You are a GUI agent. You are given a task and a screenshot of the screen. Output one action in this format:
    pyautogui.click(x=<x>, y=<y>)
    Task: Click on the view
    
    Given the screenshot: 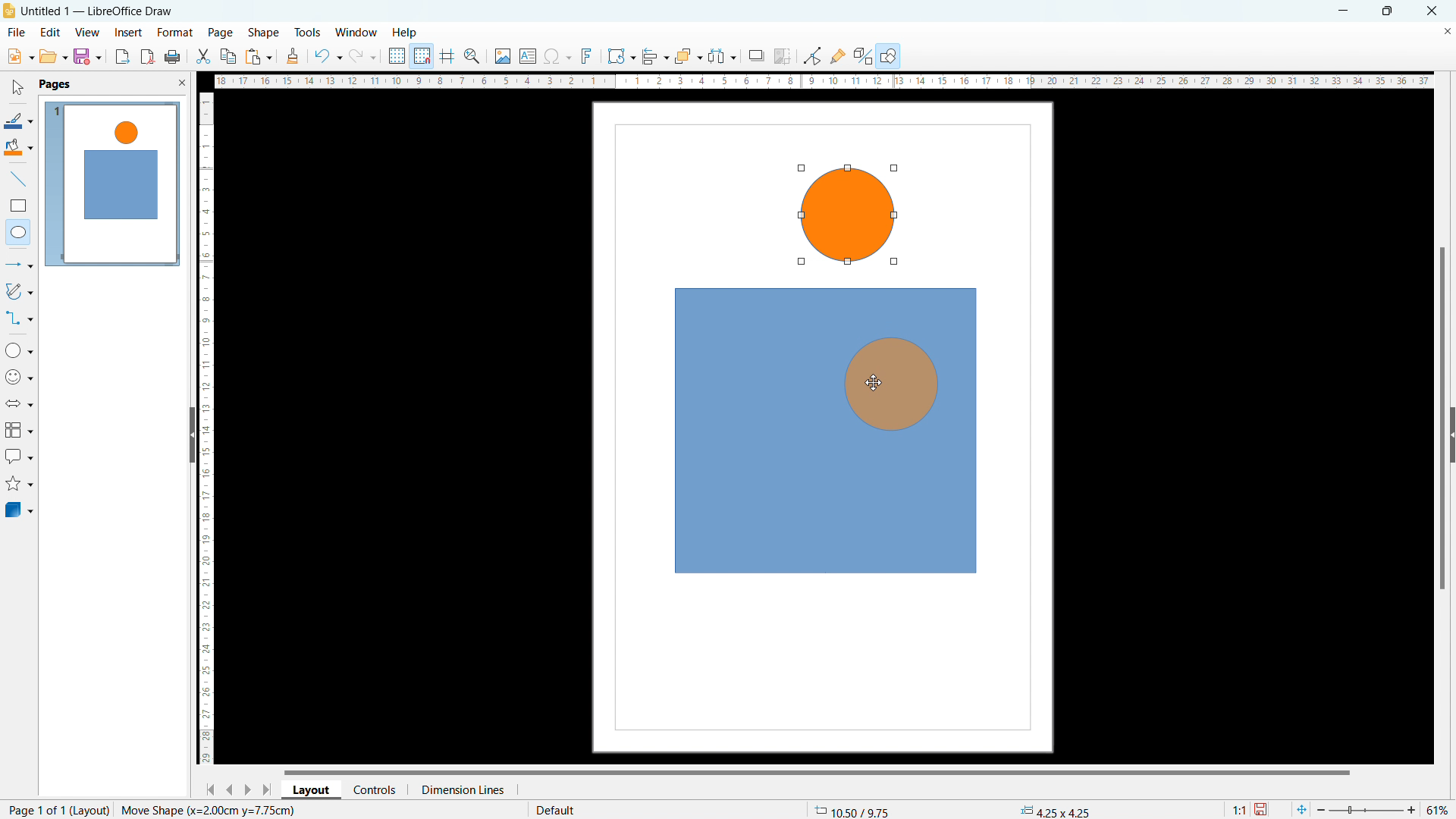 What is the action you would take?
    pyautogui.click(x=87, y=33)
    